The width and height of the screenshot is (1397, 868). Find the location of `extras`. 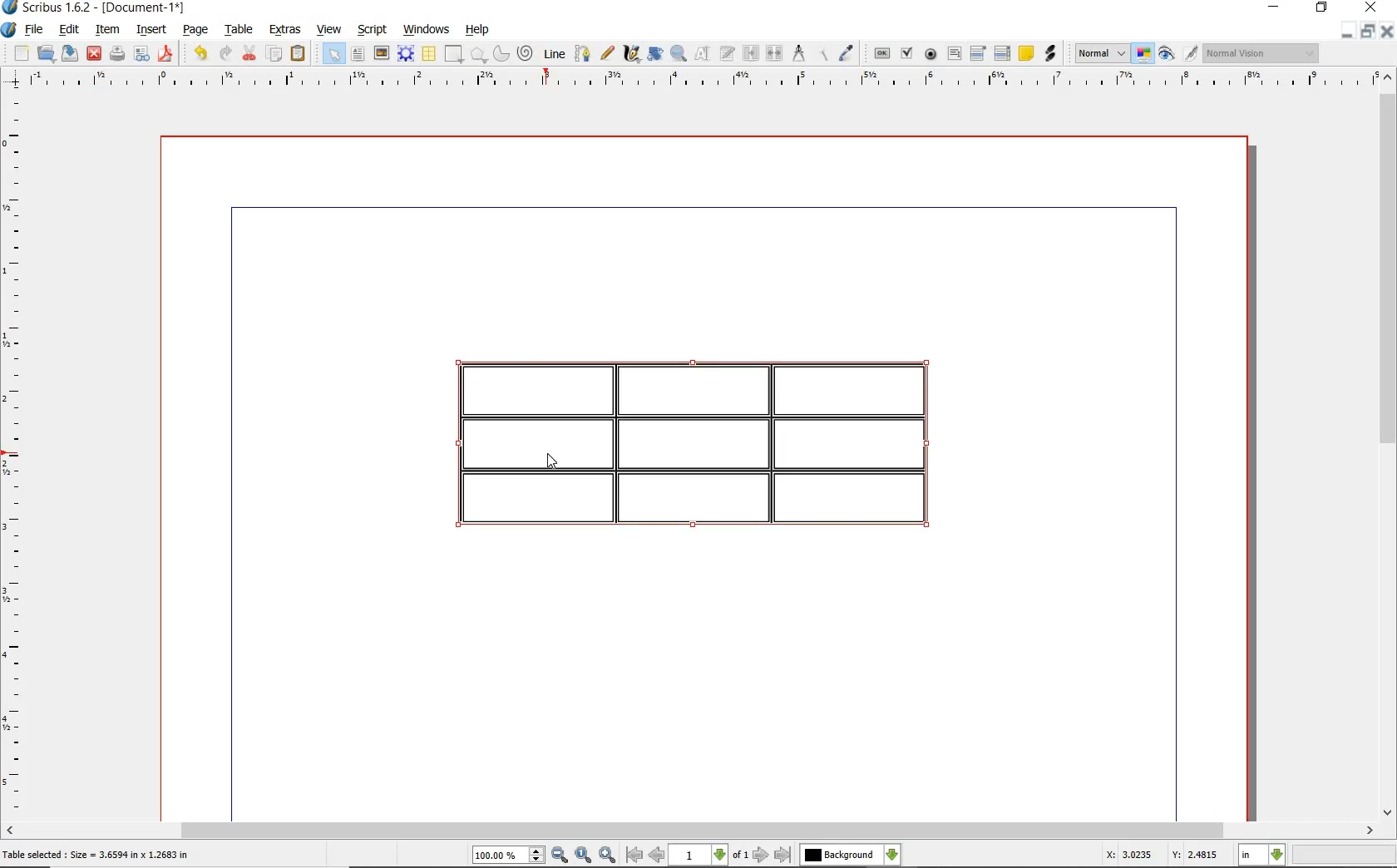

extras is located at coordinates (286, 31).